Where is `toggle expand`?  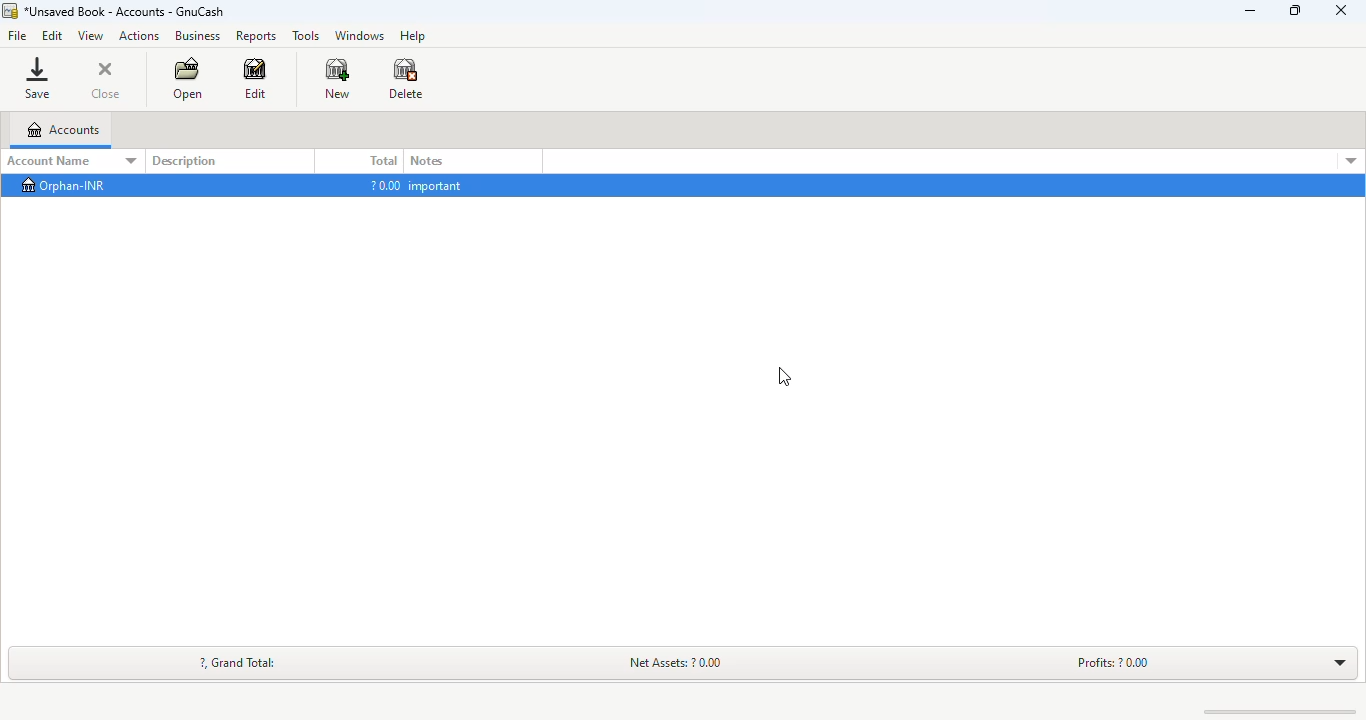 toggle expand is located at coordinates (1340, 663).